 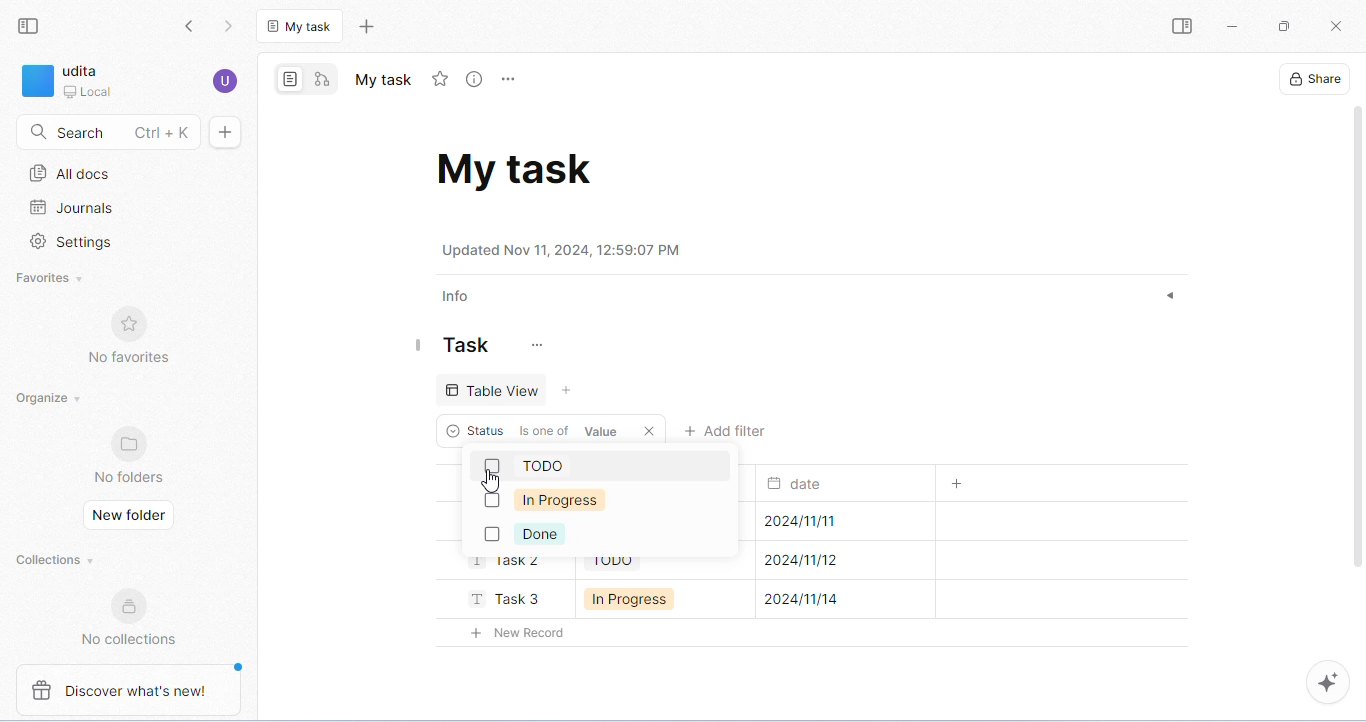 What do you see at coordinates (225, 132) in the screenshot?
I see `new doc` at bounding box center [225, 132].